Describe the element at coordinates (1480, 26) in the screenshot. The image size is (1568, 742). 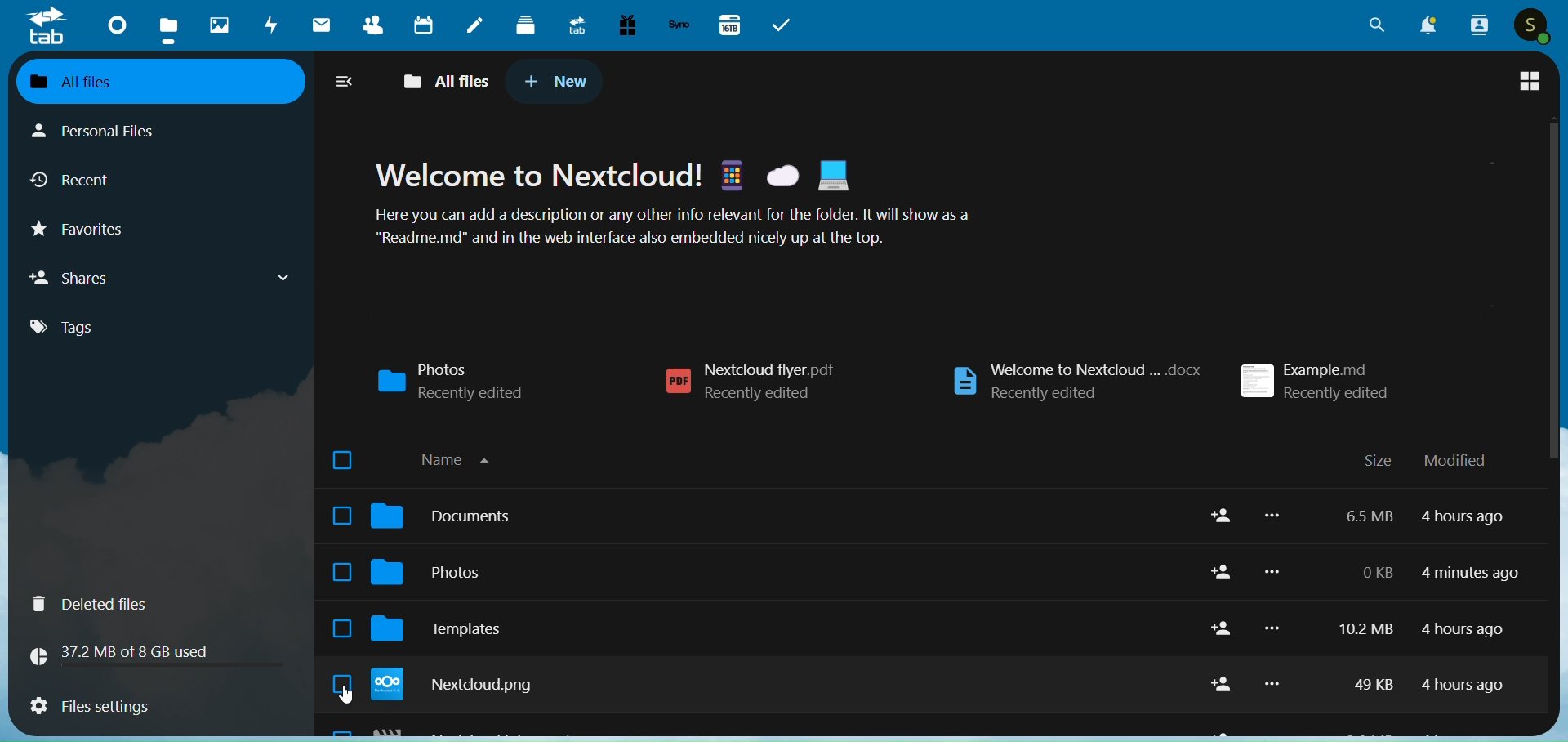
I see `people` at that location.